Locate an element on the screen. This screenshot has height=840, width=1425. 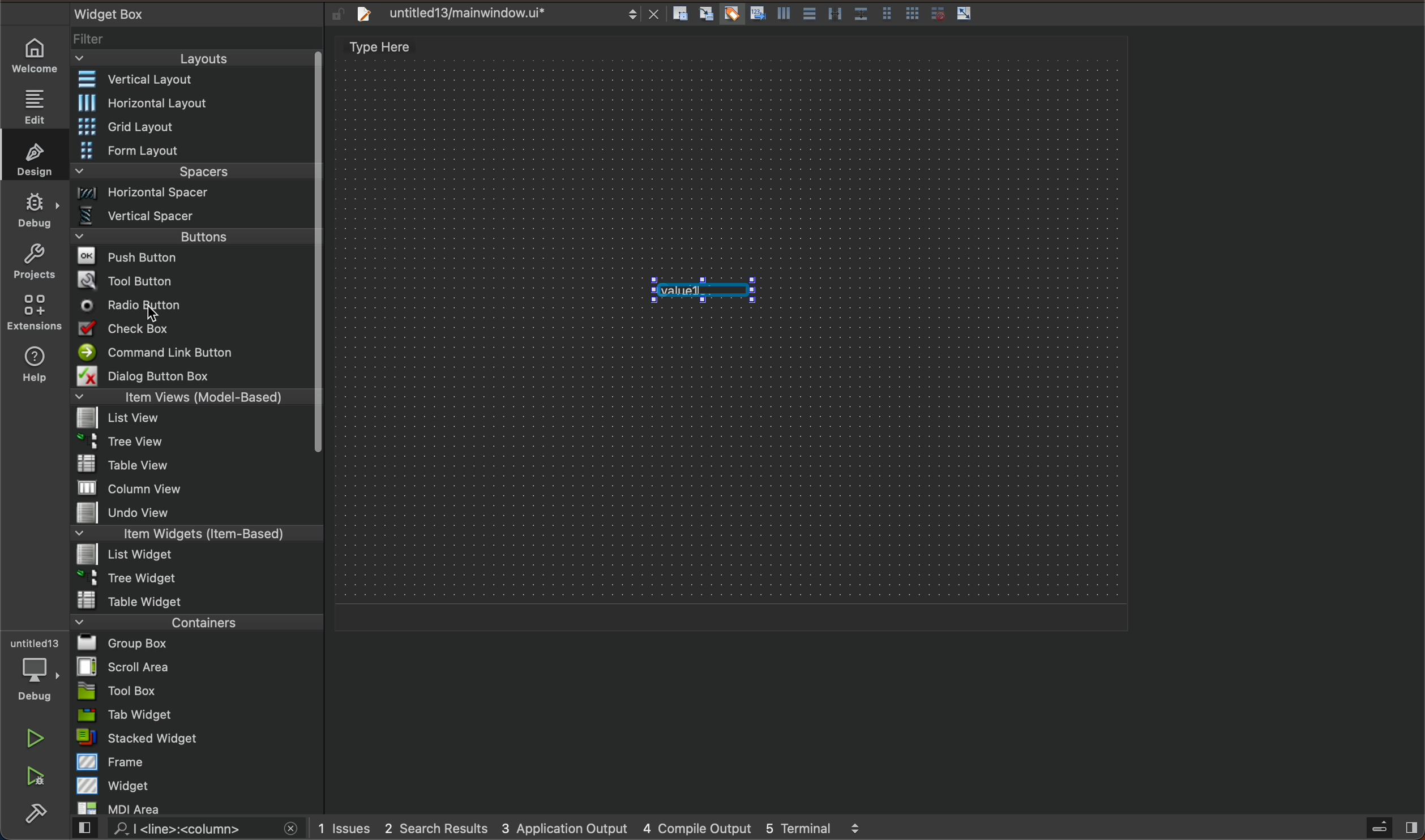
type here is located at coordinates (392, 49).